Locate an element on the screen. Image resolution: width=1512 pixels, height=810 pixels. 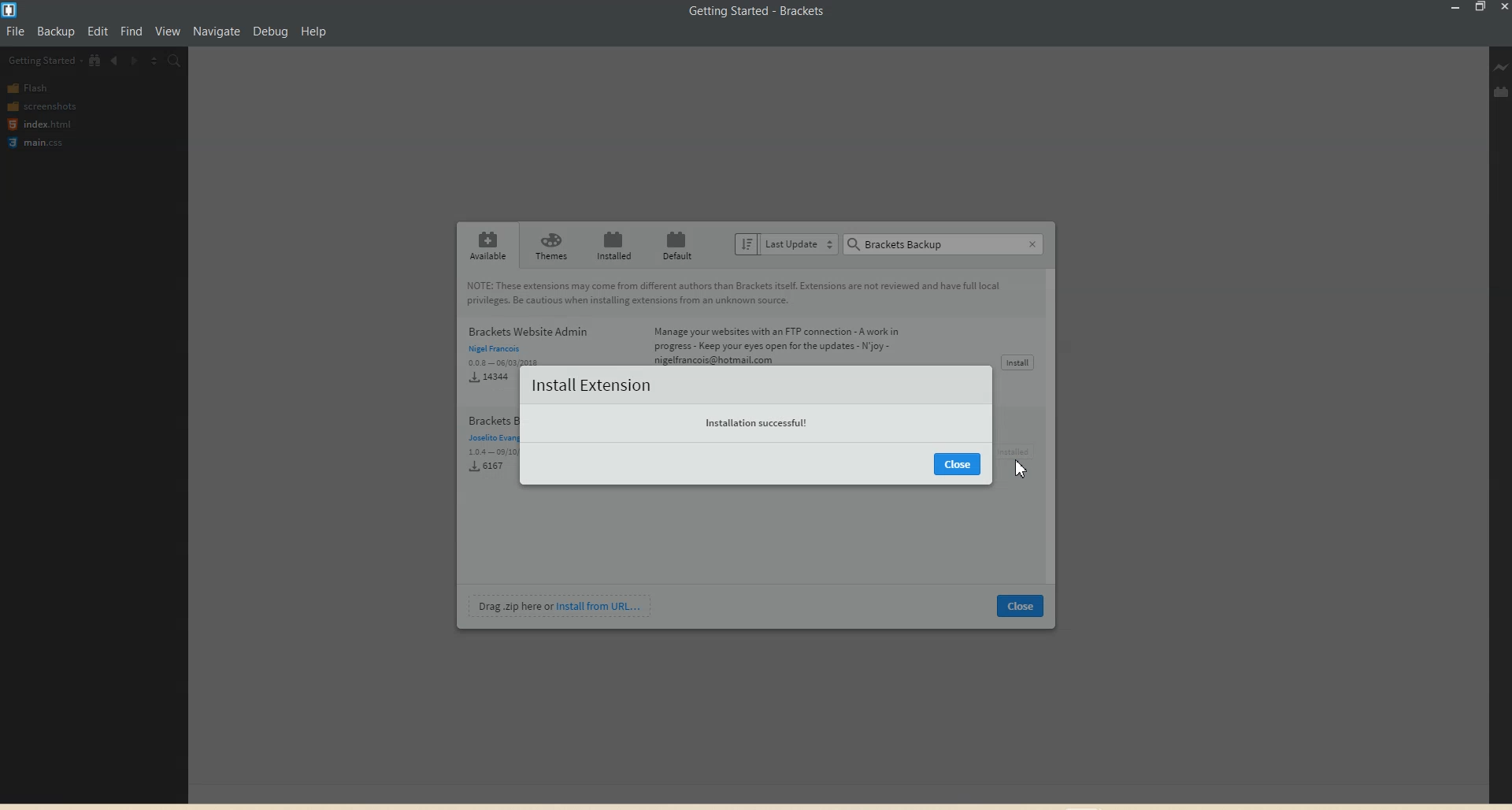
 is located at coordinates (57, 29).